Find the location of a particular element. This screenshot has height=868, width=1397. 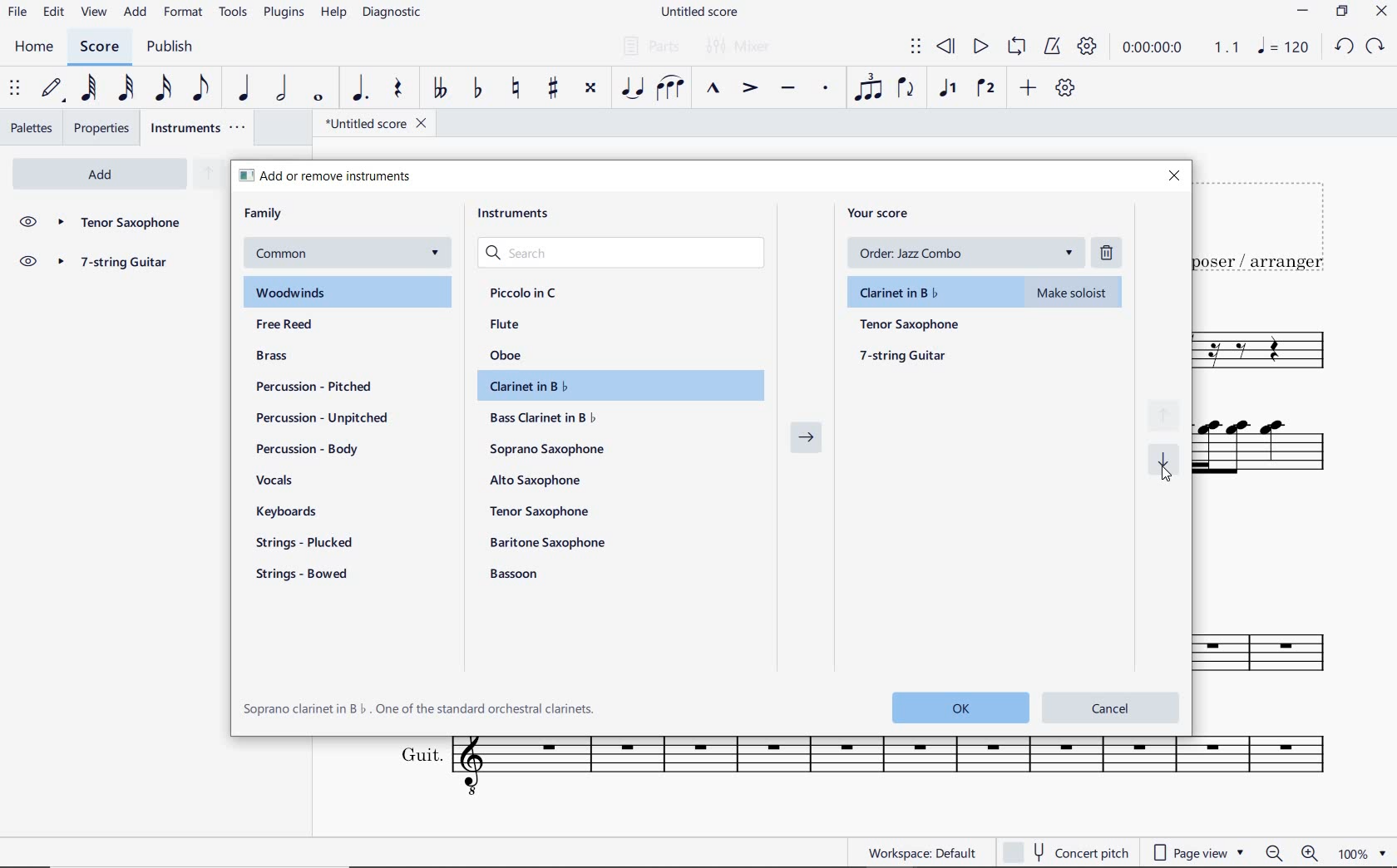

percussion - body is located at coordinates (307, 449).